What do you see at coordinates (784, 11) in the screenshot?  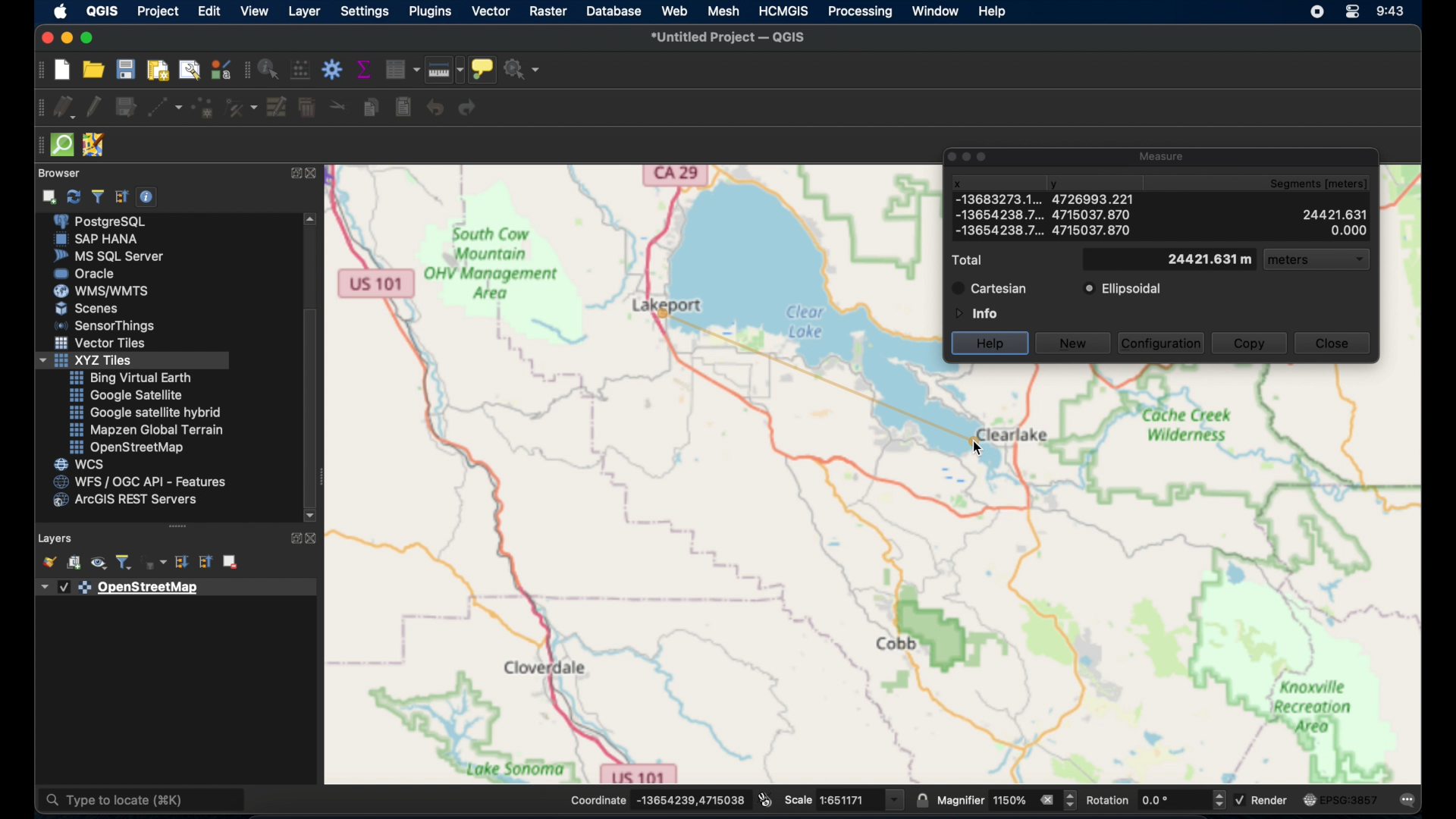 I see `HCMGIS` at bounding box center [784, 11].